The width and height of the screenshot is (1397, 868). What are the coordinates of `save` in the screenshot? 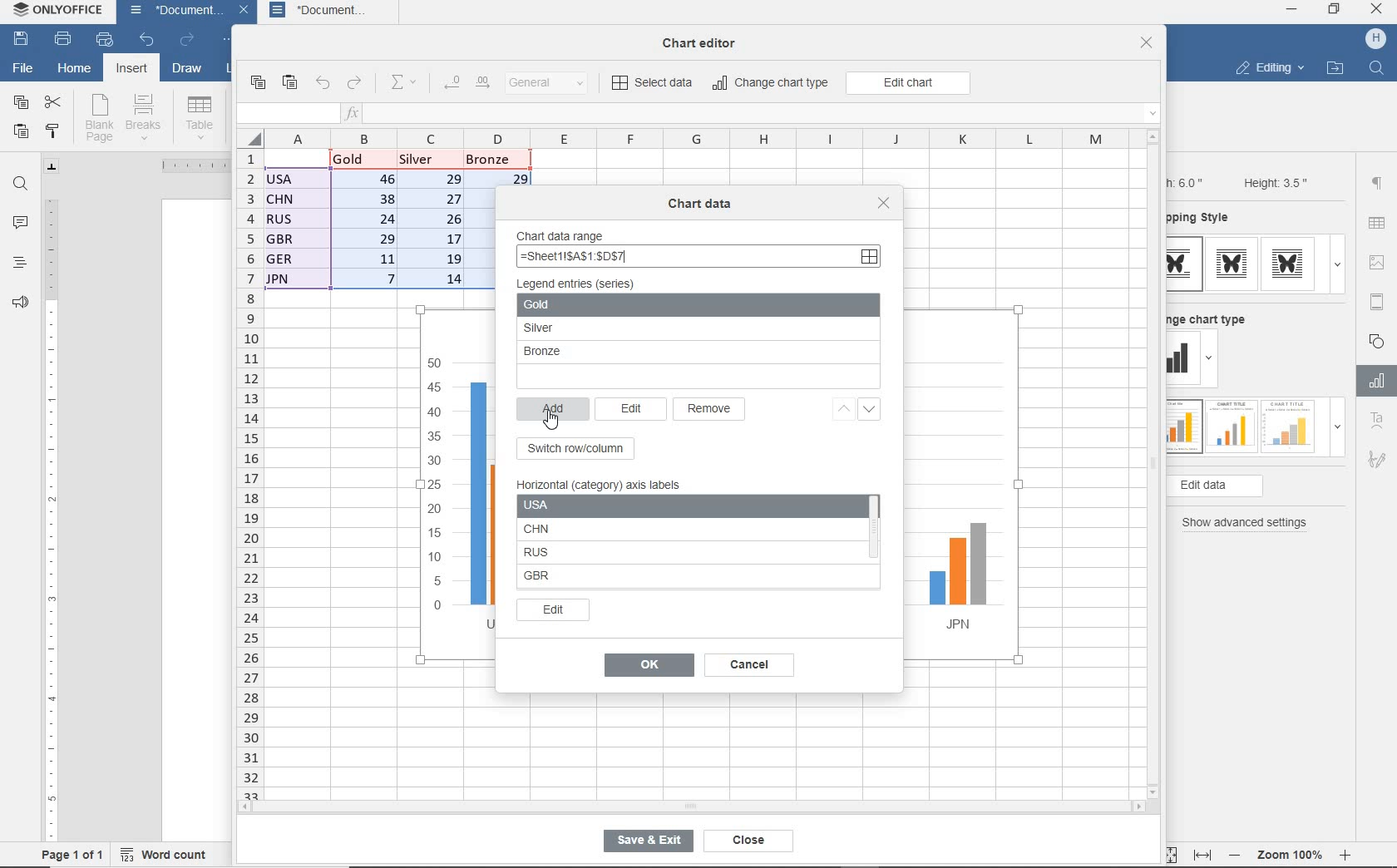 It's located at (22, 40).